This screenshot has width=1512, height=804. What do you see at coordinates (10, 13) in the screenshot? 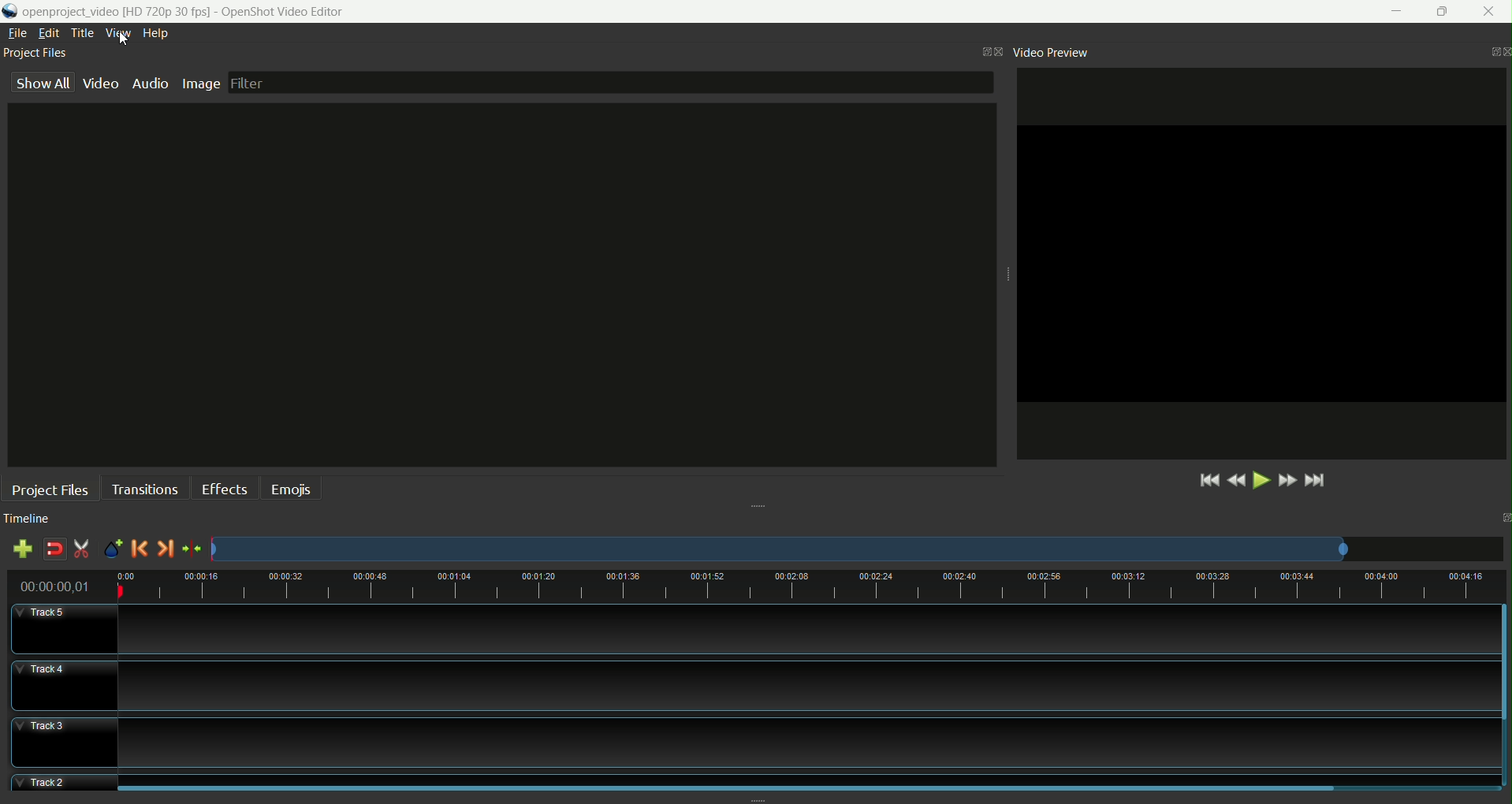
I see `logo` at bounding box center [10, 13].